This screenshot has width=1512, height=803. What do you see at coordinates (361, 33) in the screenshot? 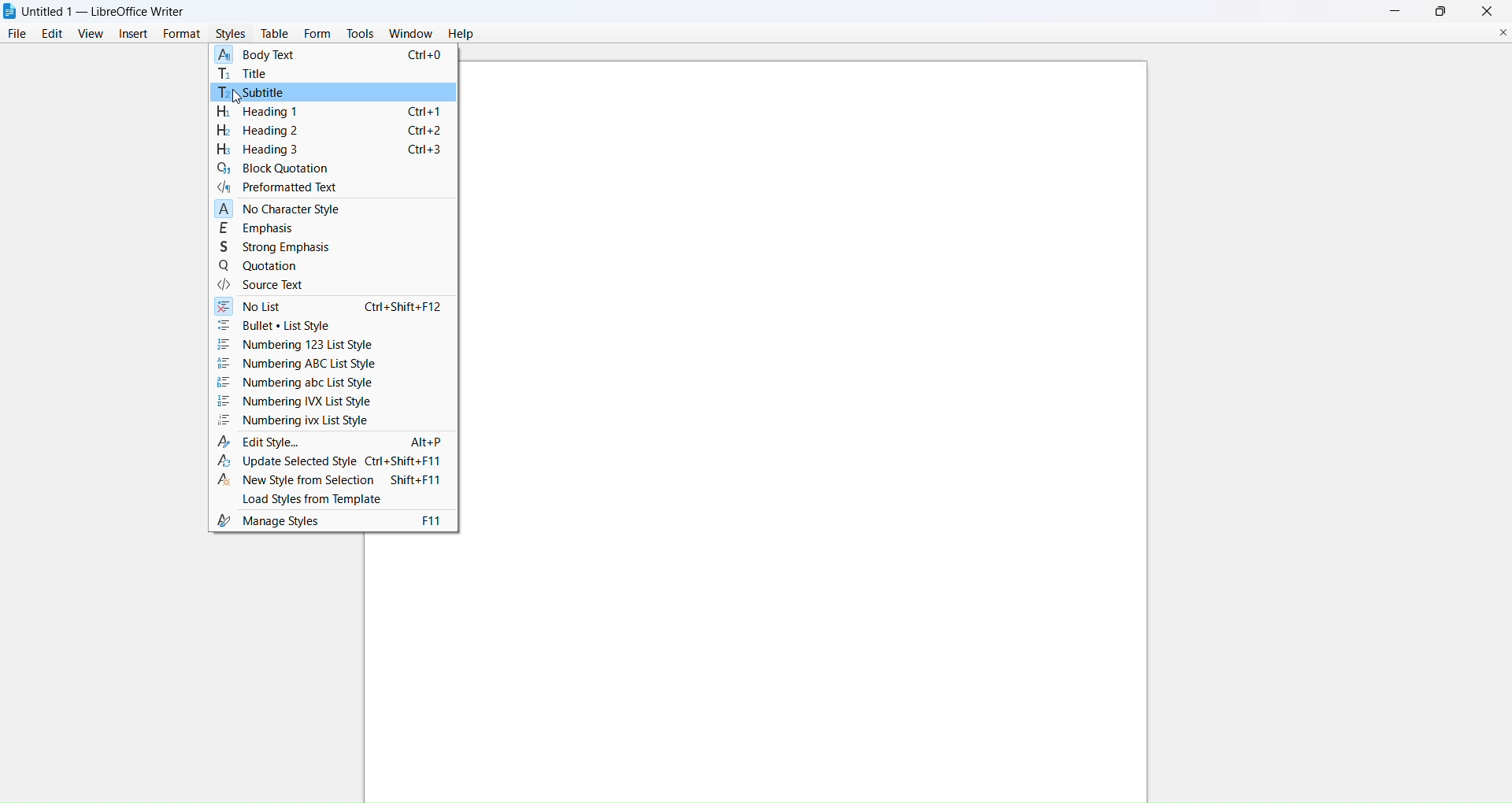
I see `tools` at bounding box center [361, 33].